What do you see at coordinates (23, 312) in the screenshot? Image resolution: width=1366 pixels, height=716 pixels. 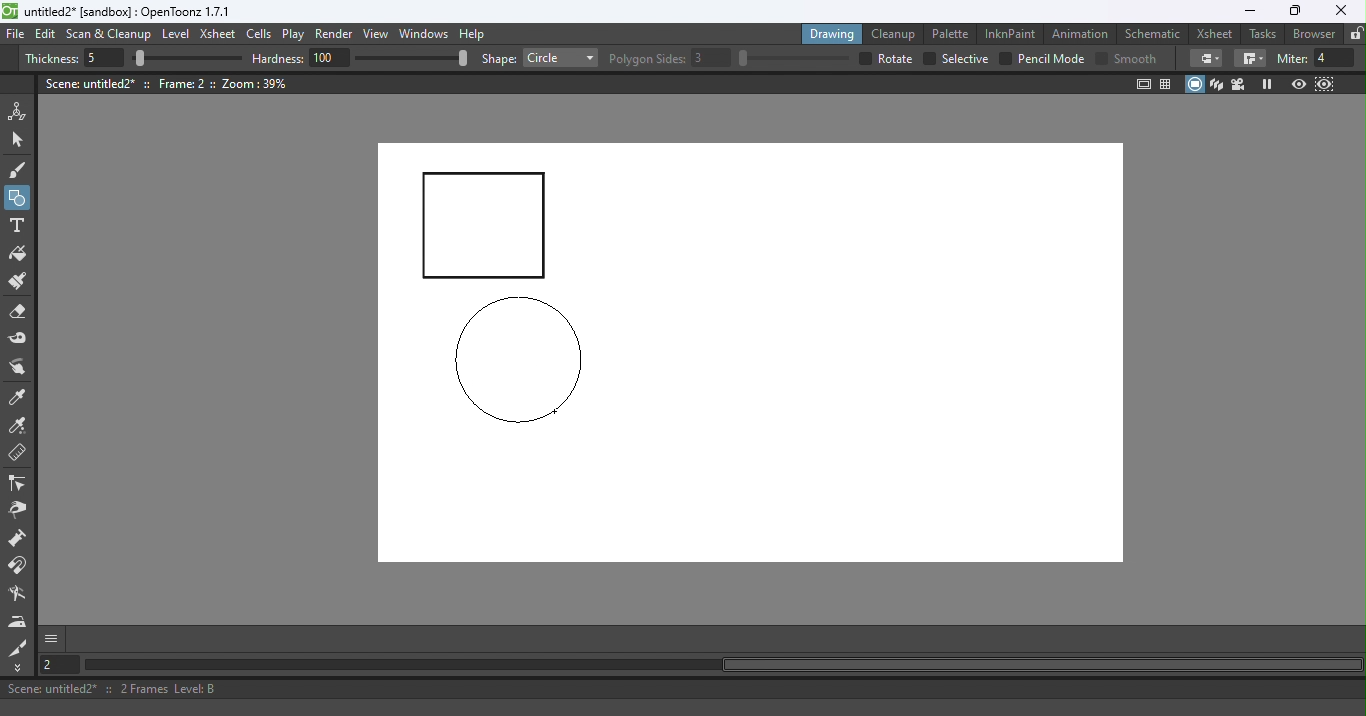 I see `Eraser tool` at bounding box center [23, 312].